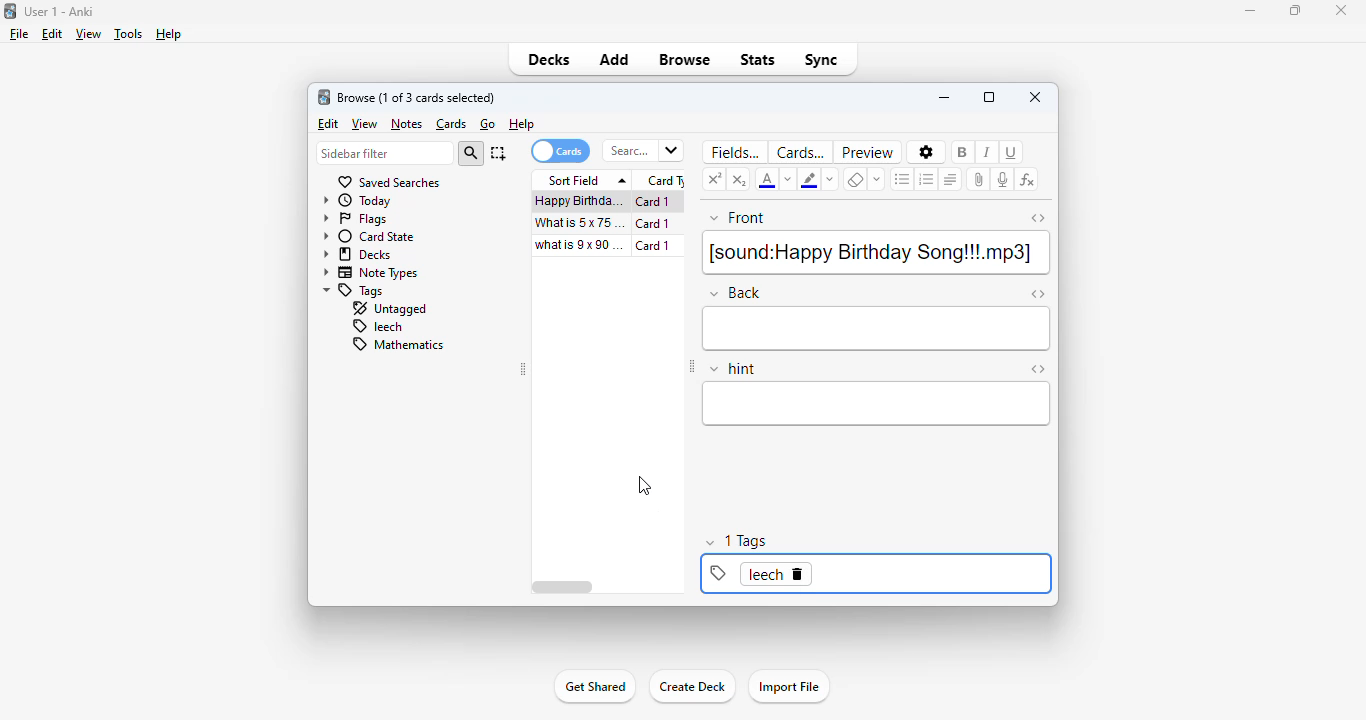 This screenshot has height=720, width=1366. I want to click on sync, so click(821, 59).